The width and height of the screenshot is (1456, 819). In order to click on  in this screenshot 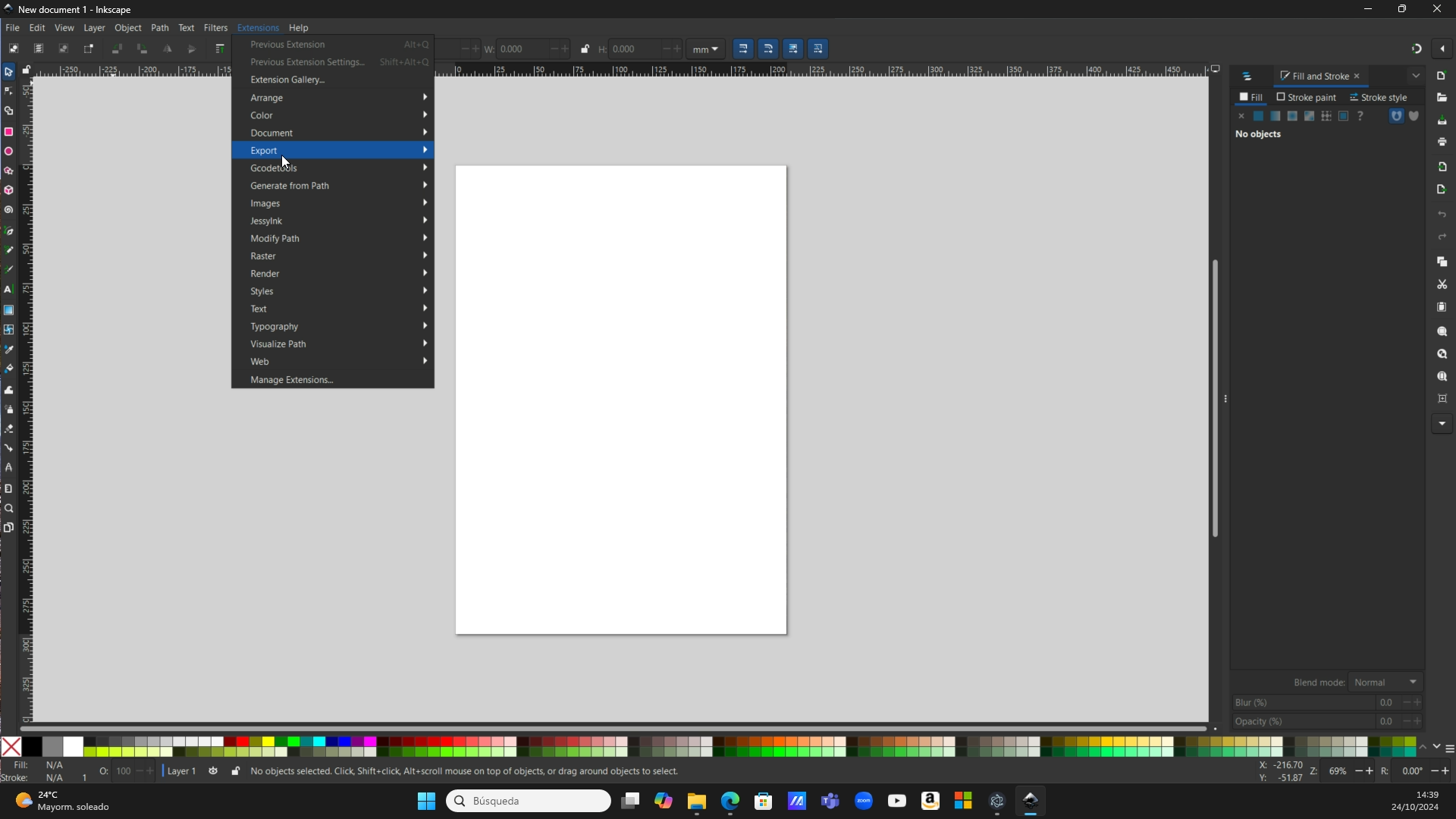, I will do `click(65, 29)`.